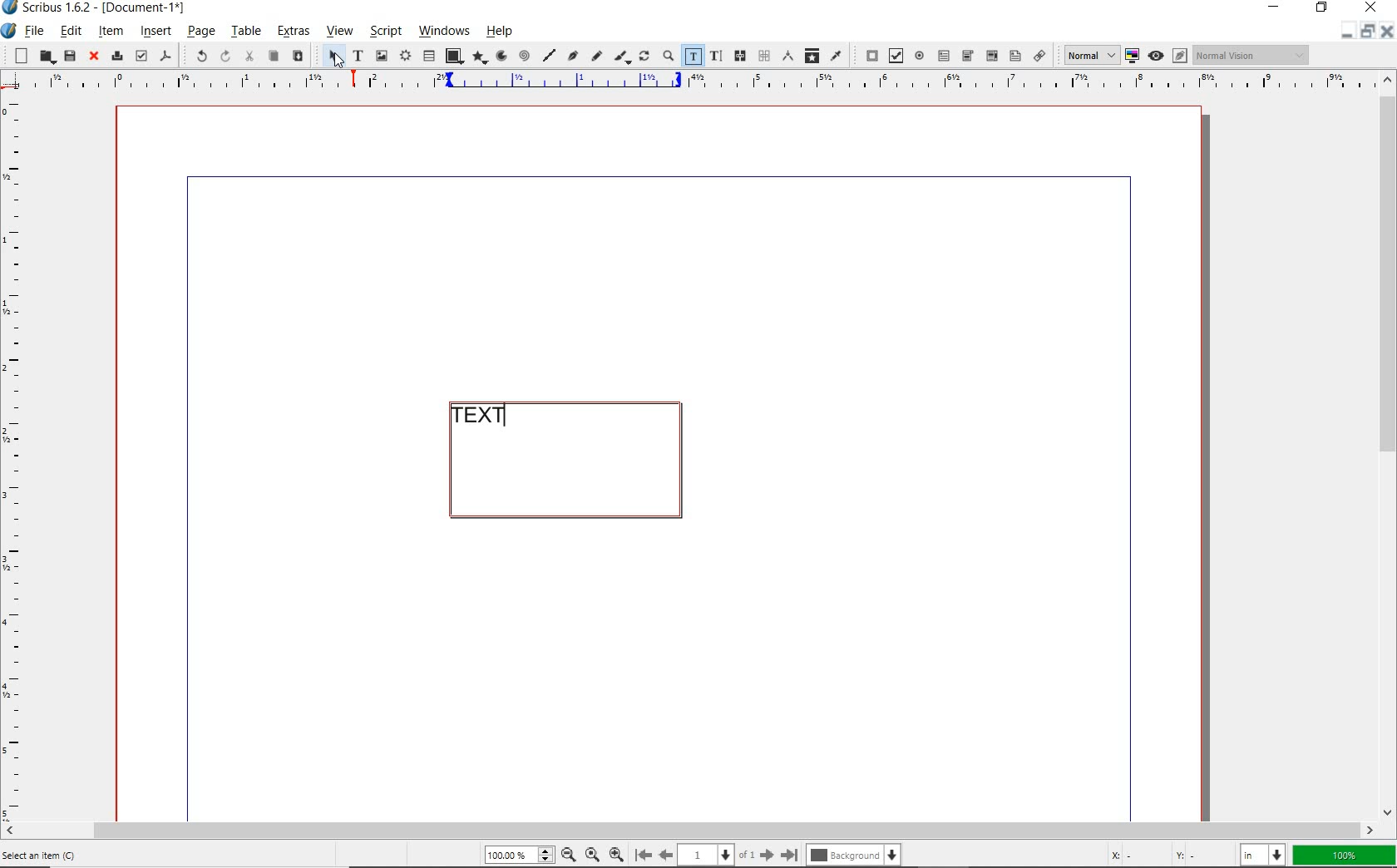  I want to click on Edit in preview mode, so click(1181, 55).